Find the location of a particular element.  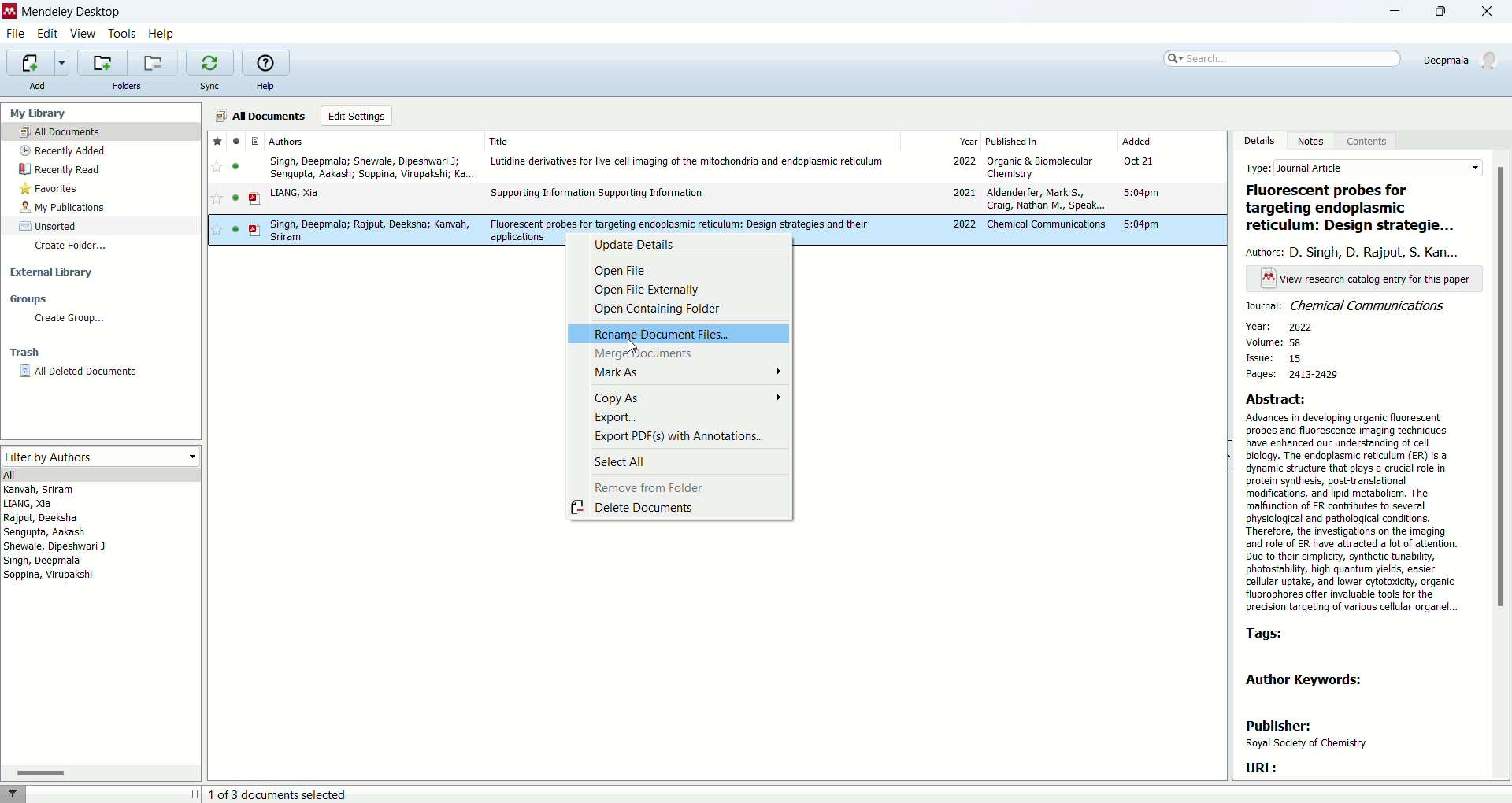

mendeley desktop is located at coordinates (72, 11).